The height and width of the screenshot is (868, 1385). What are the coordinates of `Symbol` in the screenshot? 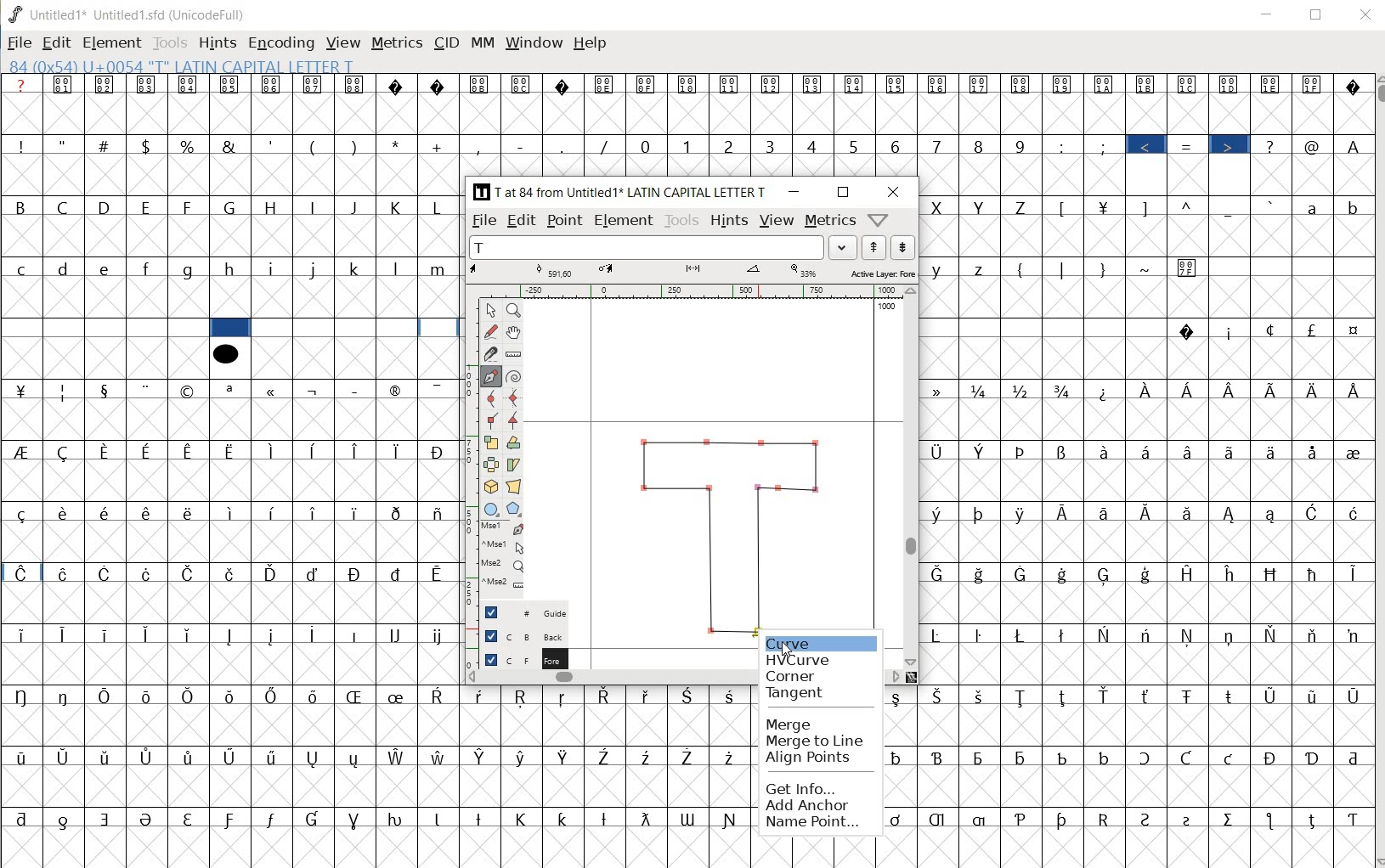 It's located at (1065, 574).